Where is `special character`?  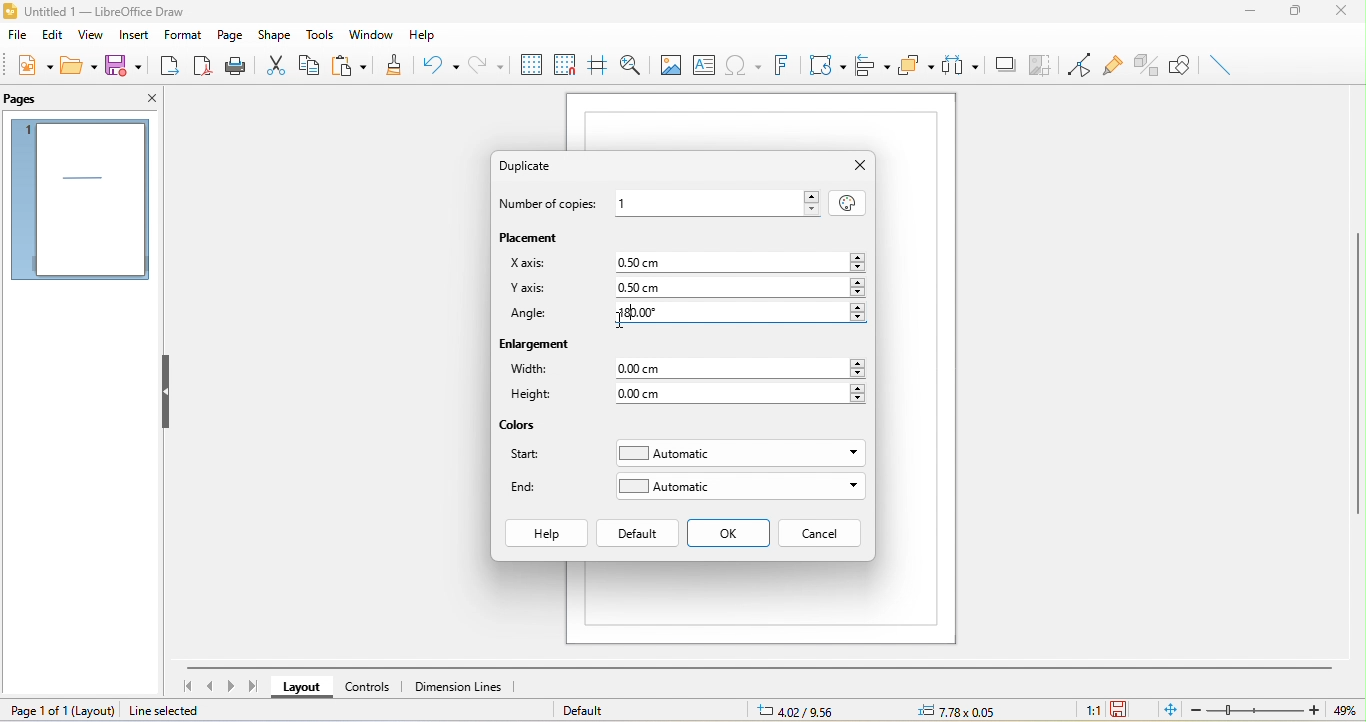
special character is located at coordinates (742, 64).